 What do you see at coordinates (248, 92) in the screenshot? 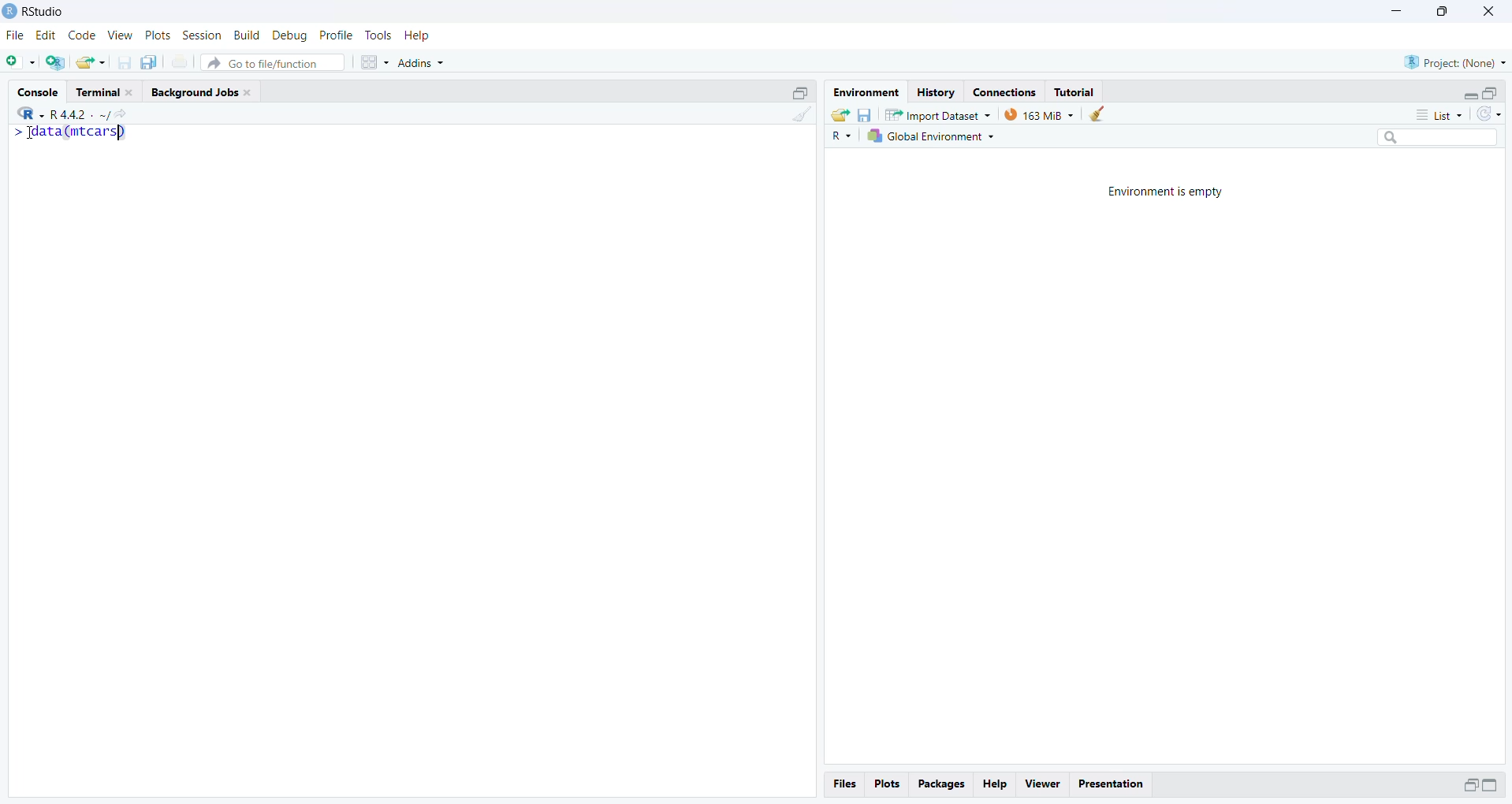
I see `close` at bounding box center [248, 92].